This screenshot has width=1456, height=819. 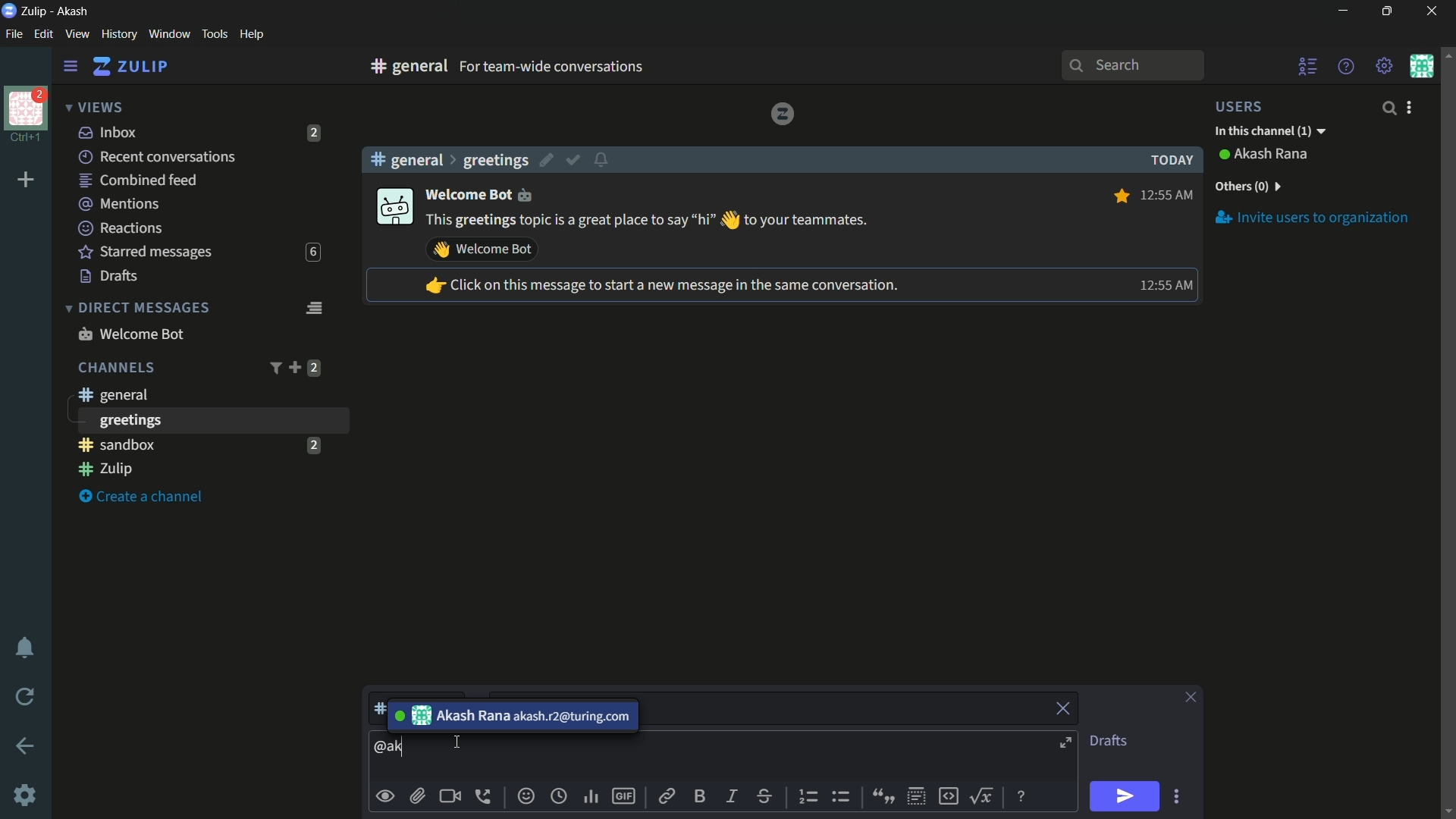 What do you see at coordinates (94, 108) in the screenshot?
I see `views dropdown` at bounding box center [94, 108].